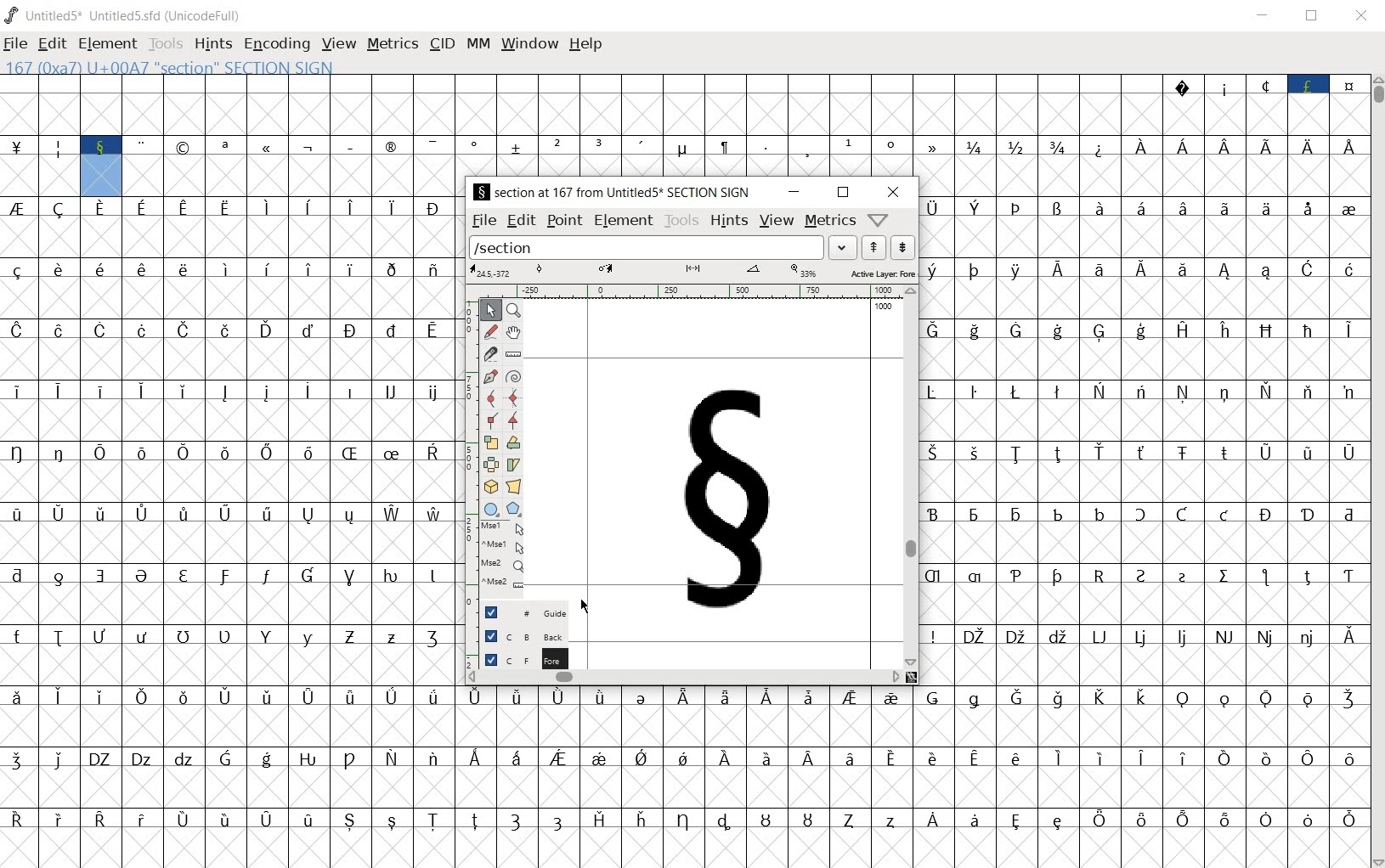  Describe the element at coordinates (1139, 206) in the screenshot. I see `special letters` at that location.